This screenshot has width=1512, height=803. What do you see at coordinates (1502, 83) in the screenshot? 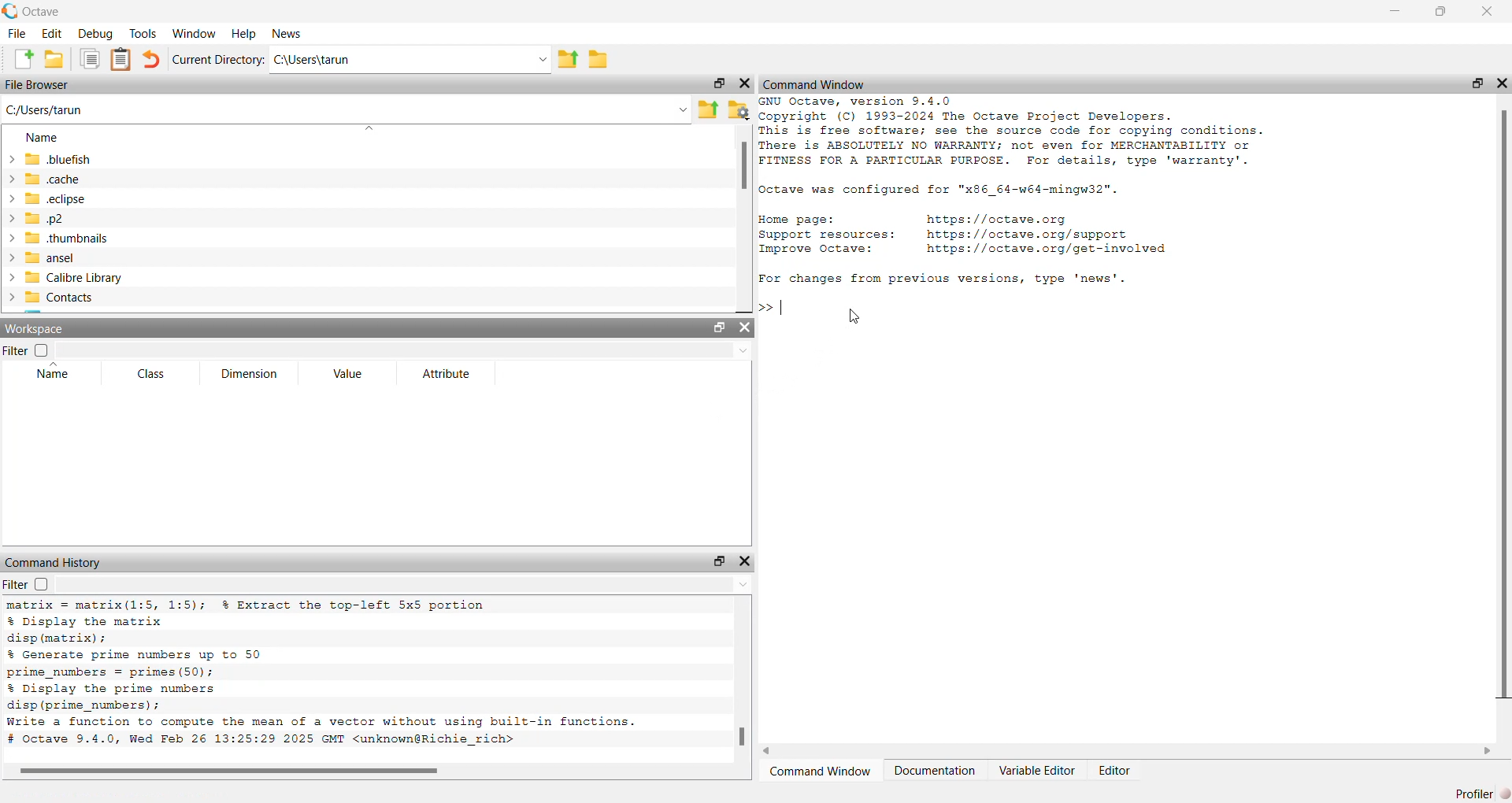
I see `close` at bounding box center [1502, 83].